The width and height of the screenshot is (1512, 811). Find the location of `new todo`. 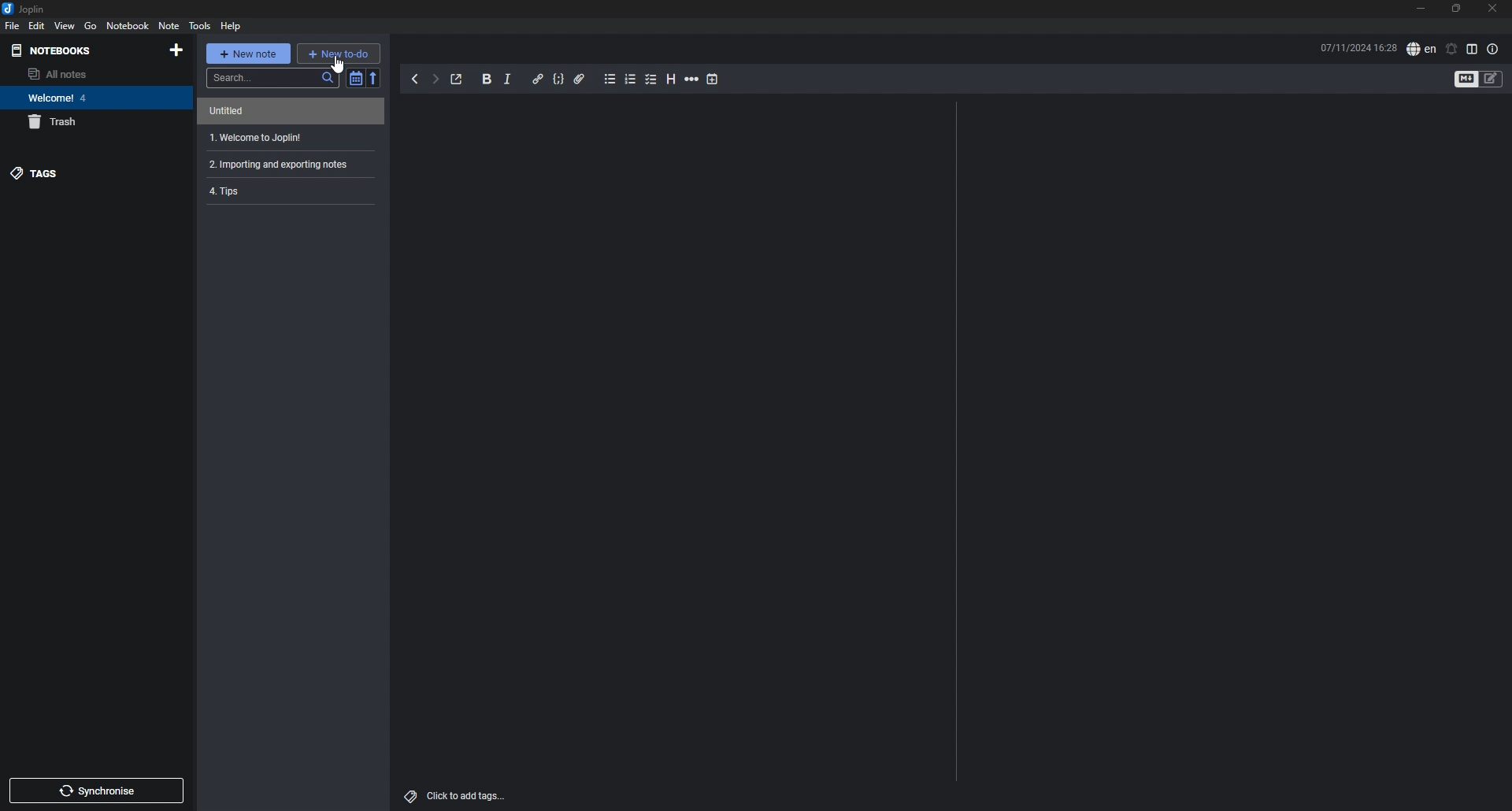

new todo is located at coordinates (339, 54).